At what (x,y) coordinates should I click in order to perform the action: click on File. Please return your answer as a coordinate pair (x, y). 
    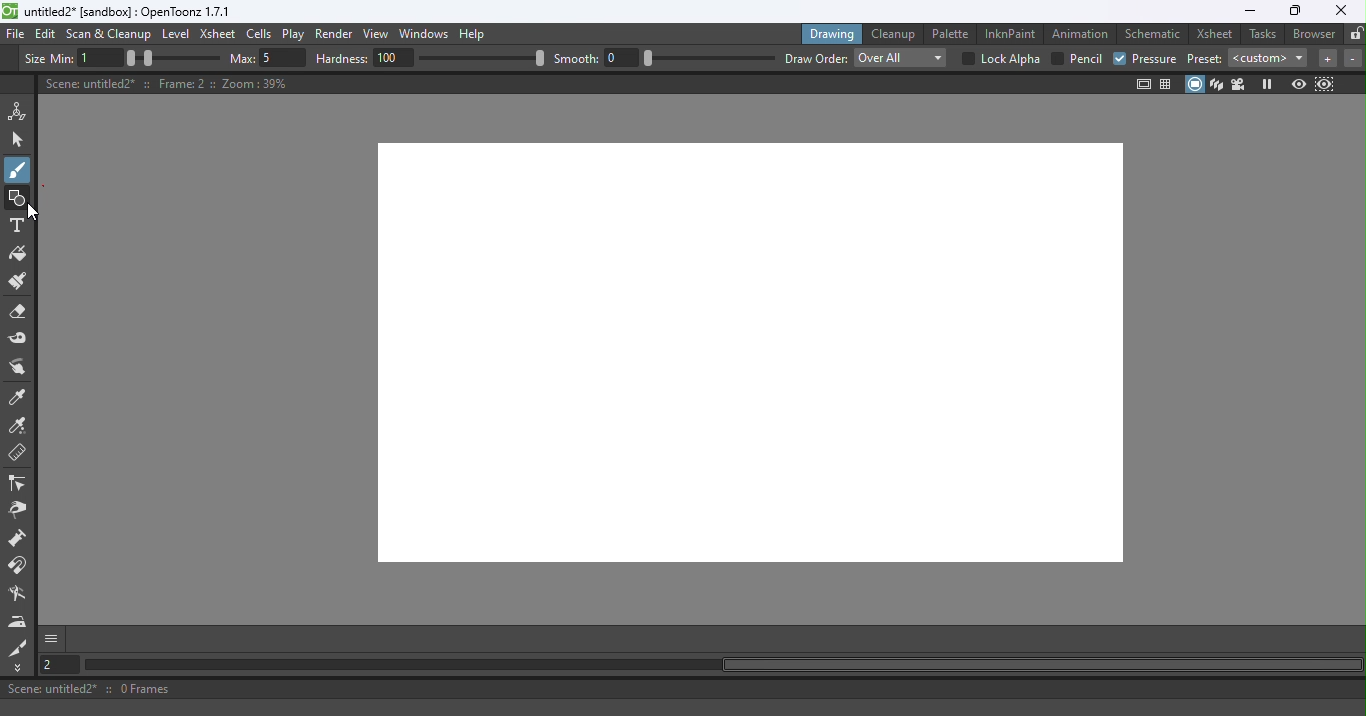
    Looking at the image, I should click on (16, 35).